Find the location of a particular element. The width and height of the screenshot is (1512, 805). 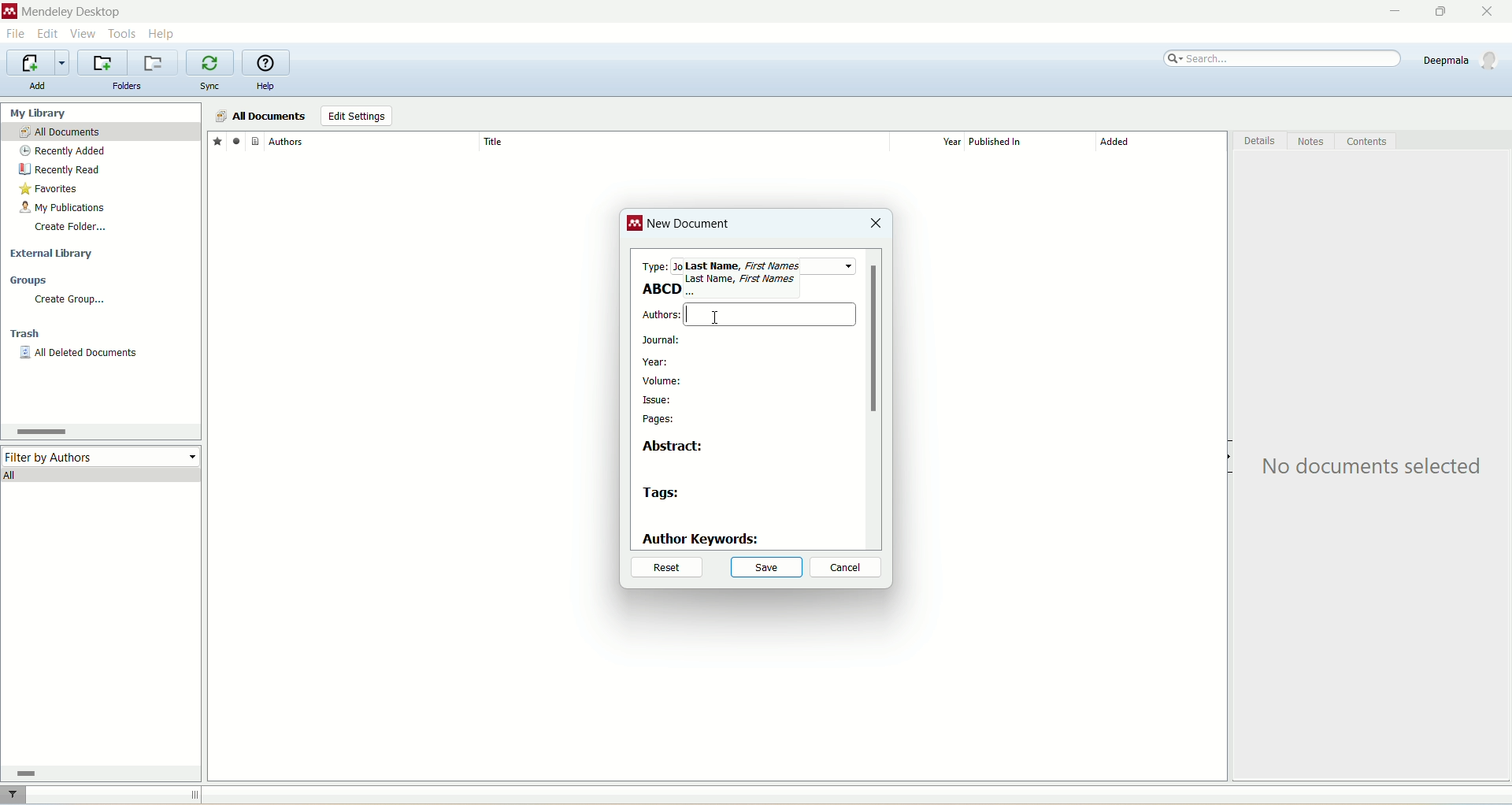

recently read is located at coordinates (59, 169).